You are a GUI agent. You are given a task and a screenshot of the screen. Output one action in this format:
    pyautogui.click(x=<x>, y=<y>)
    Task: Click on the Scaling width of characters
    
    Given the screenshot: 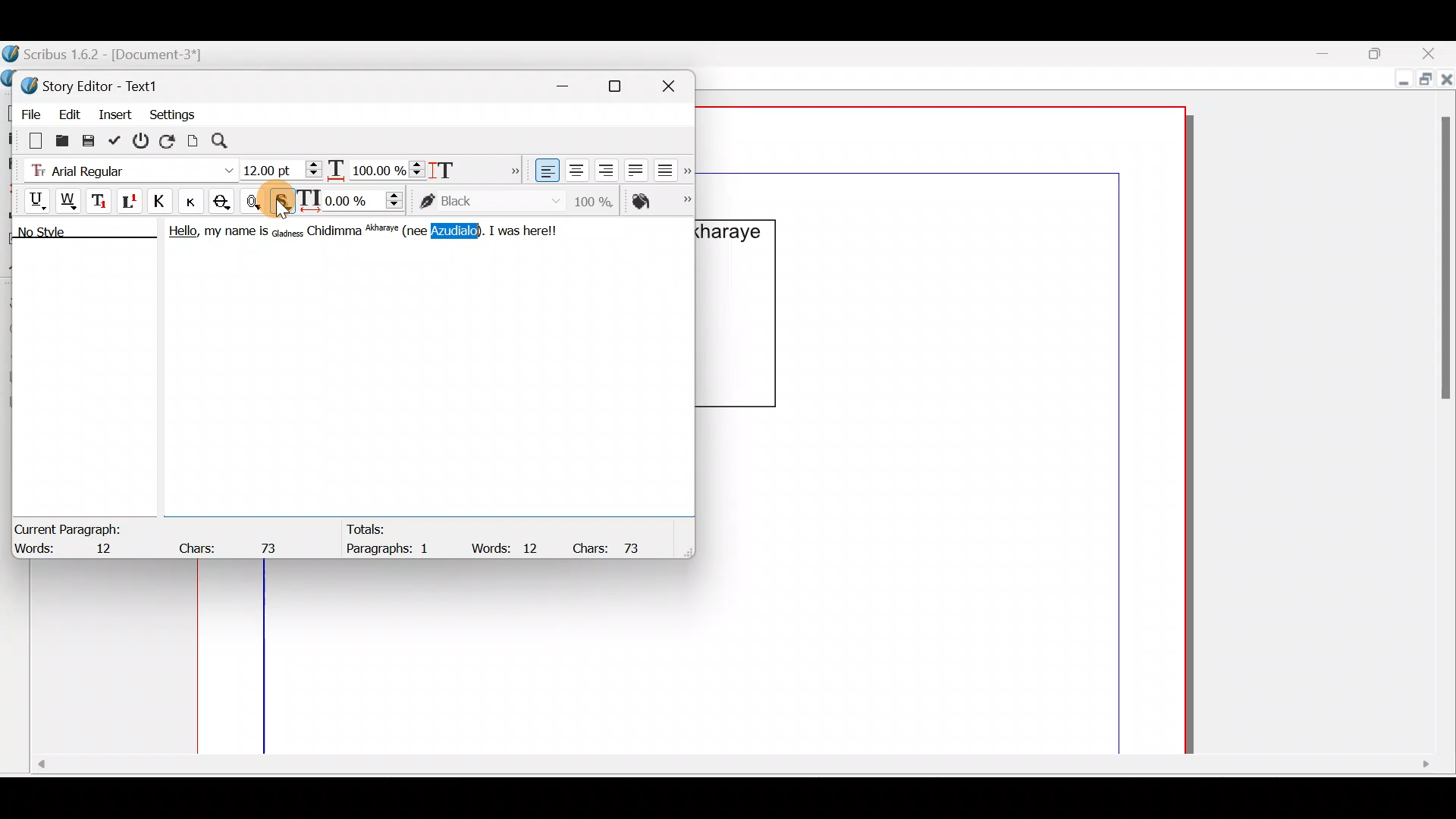 What is the action you would take?
    pyautogui.click(x=376, y=167)
    